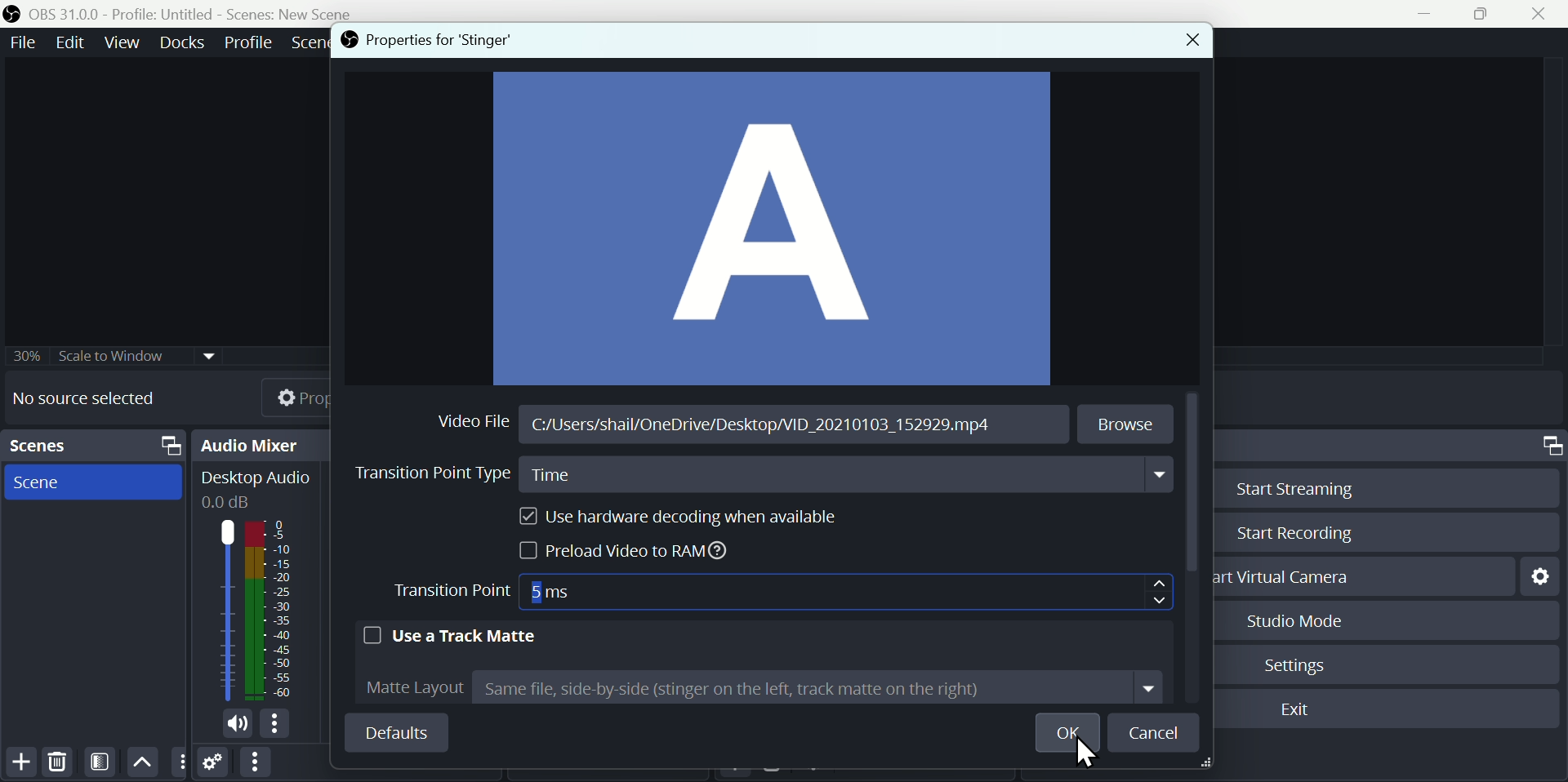  I want to click on Cancel, so click(1156, 732).